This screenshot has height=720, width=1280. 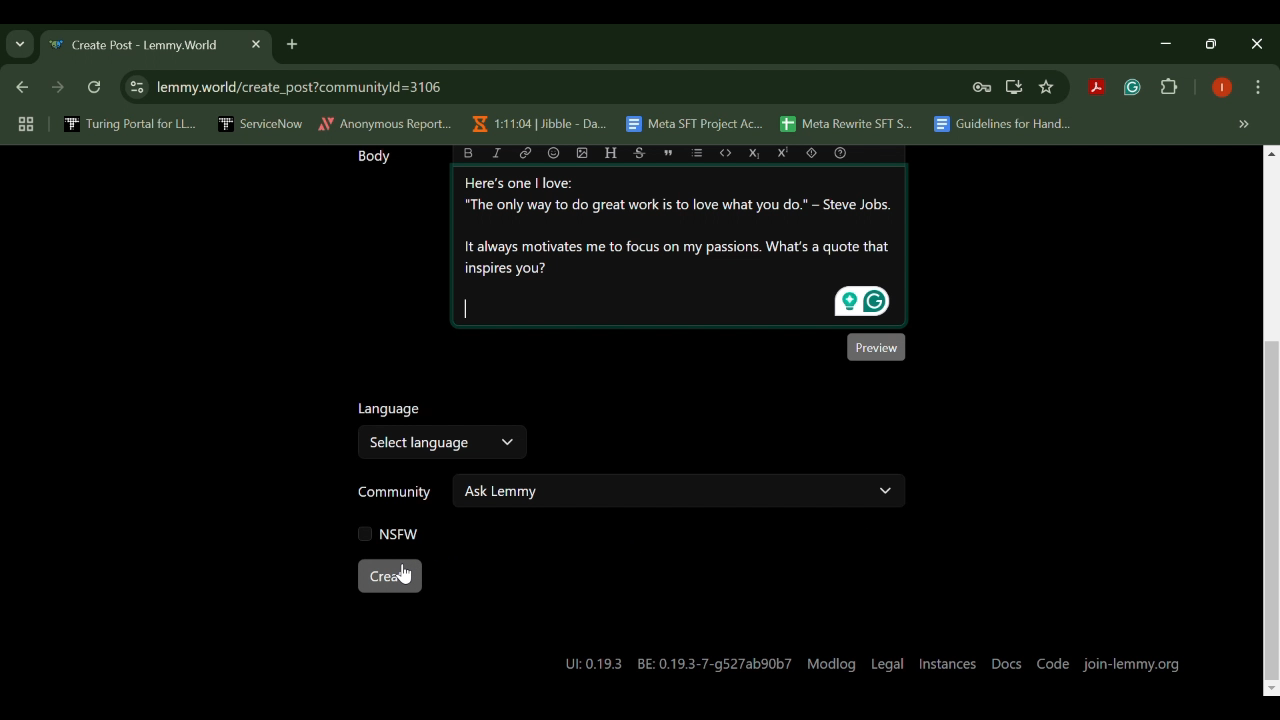 What do you see at coordinates (1013, 87) in the screenshot?
I see `Install Desktop Application` at bounding box center [1013, 87].